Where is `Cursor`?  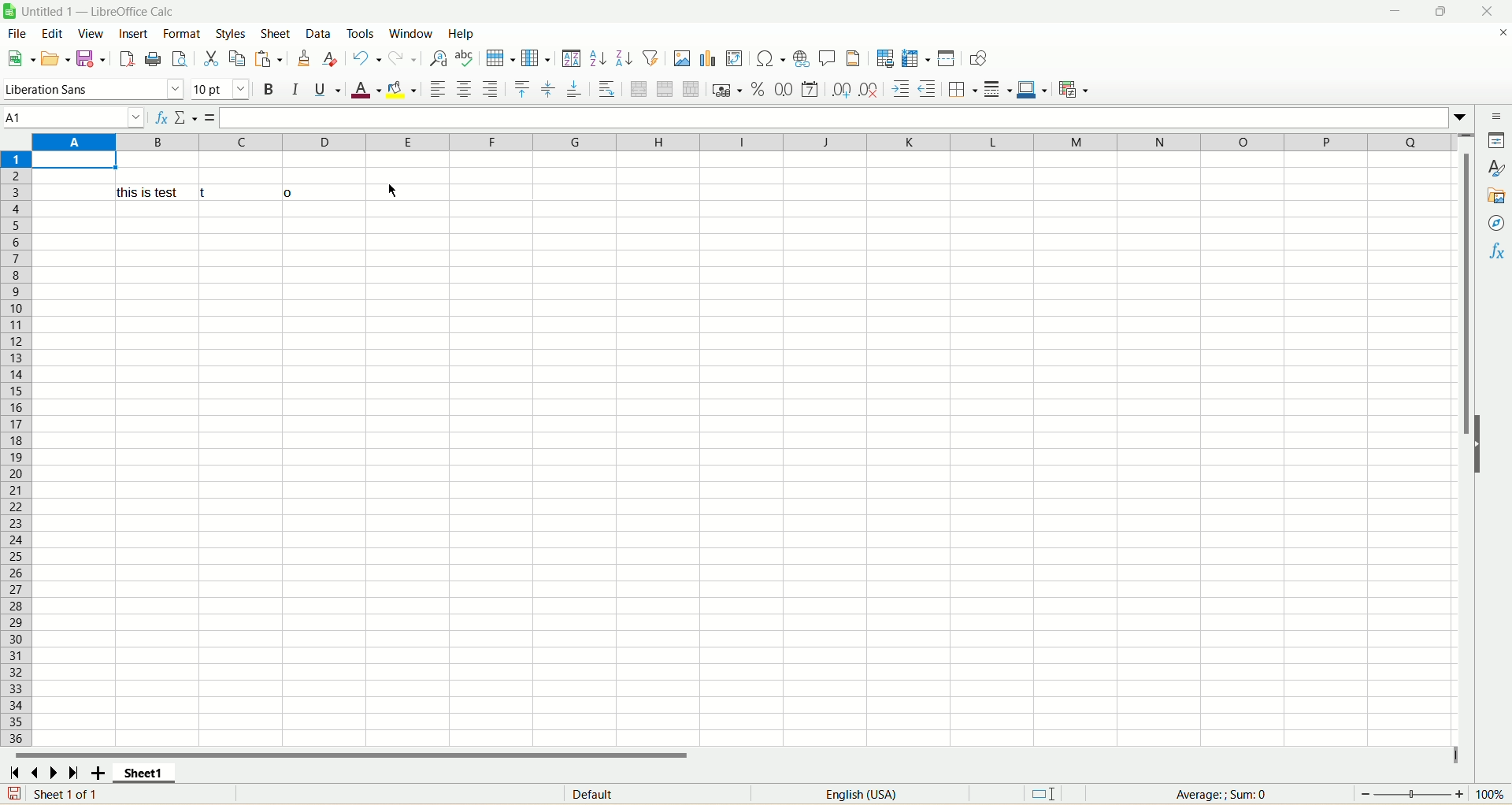
Cursor is located at coordinates (398, 192).